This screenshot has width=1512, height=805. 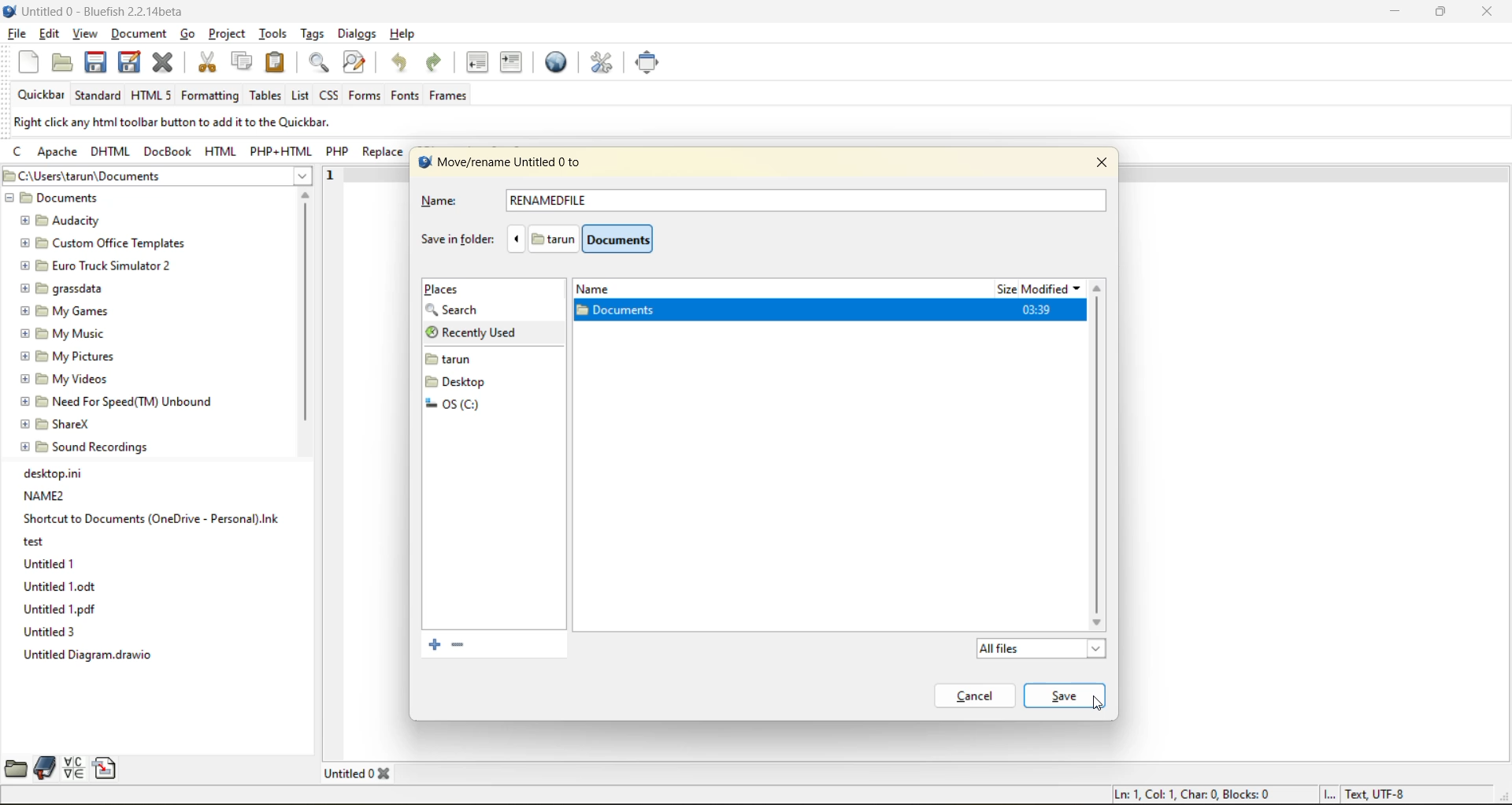 What do you see at coordinates (267, 98) in the screenshot?
I see `tables` at bounding box center [267, 98].